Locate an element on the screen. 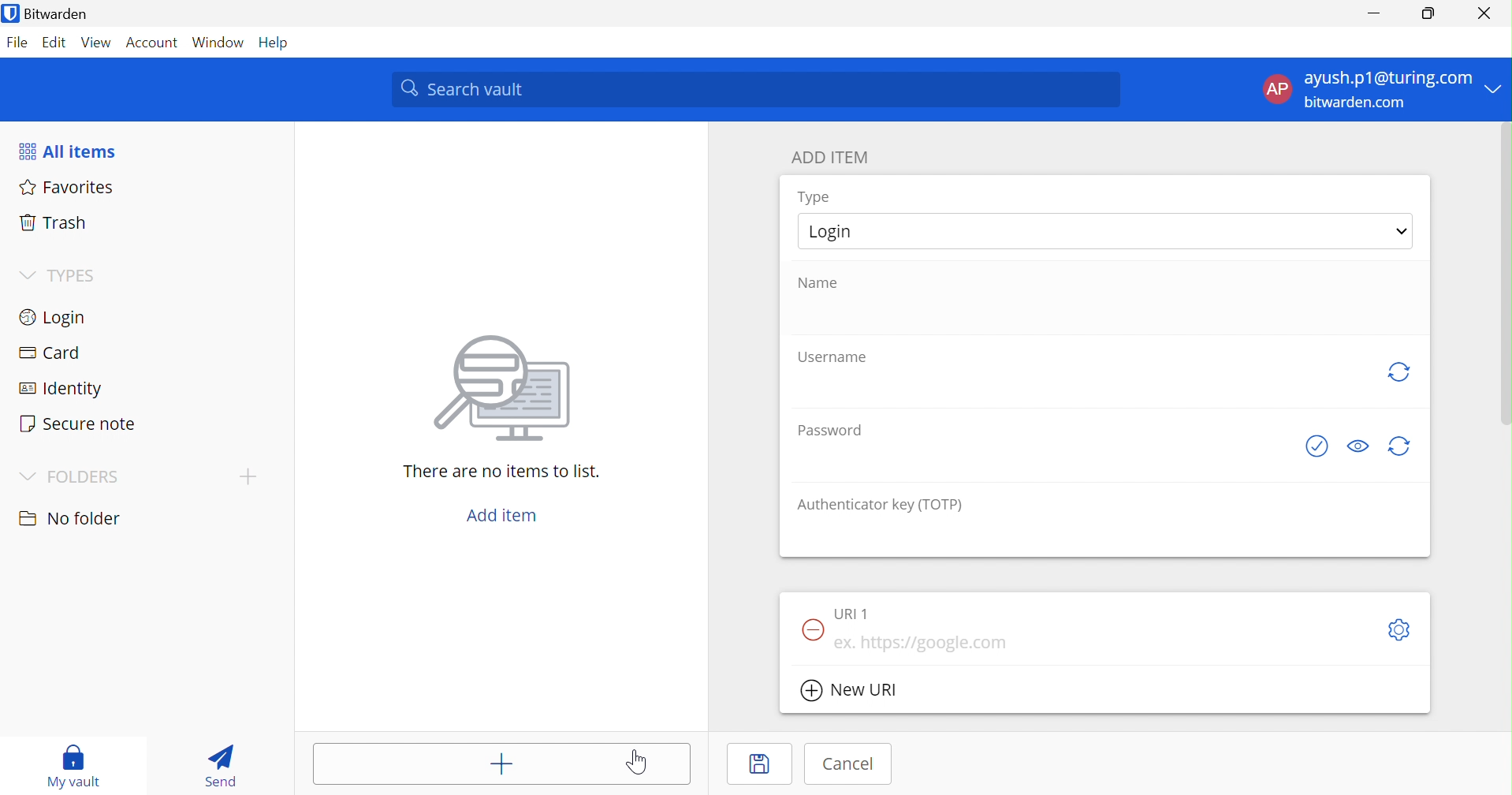 Image resolution: width=1512 pixels, height=795 pixels. Drop Down is located at coordinates (1496, 88).